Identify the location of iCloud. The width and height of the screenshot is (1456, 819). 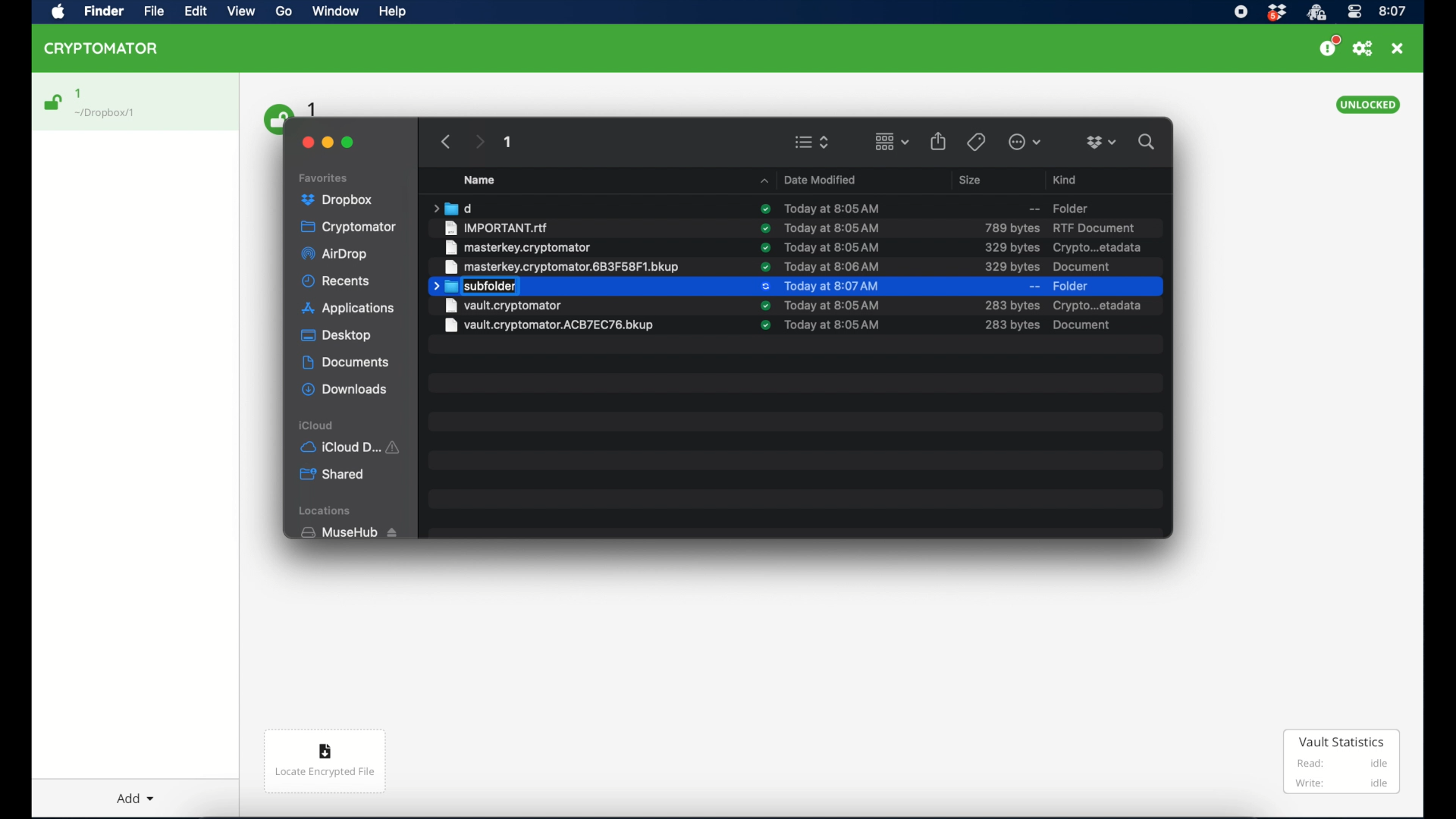
(353, 446).